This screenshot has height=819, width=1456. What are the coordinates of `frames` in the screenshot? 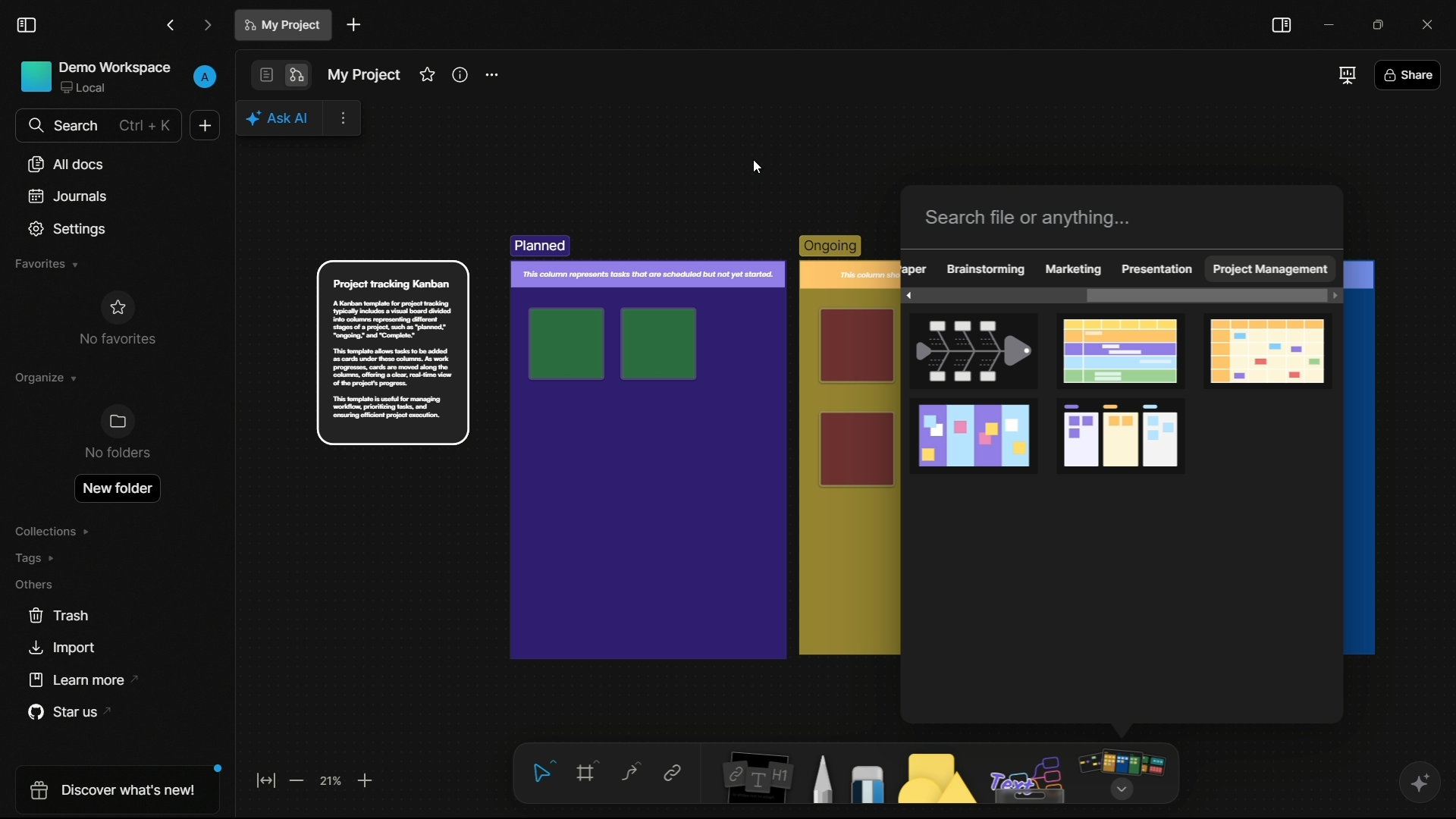 It's located at (589, 770).